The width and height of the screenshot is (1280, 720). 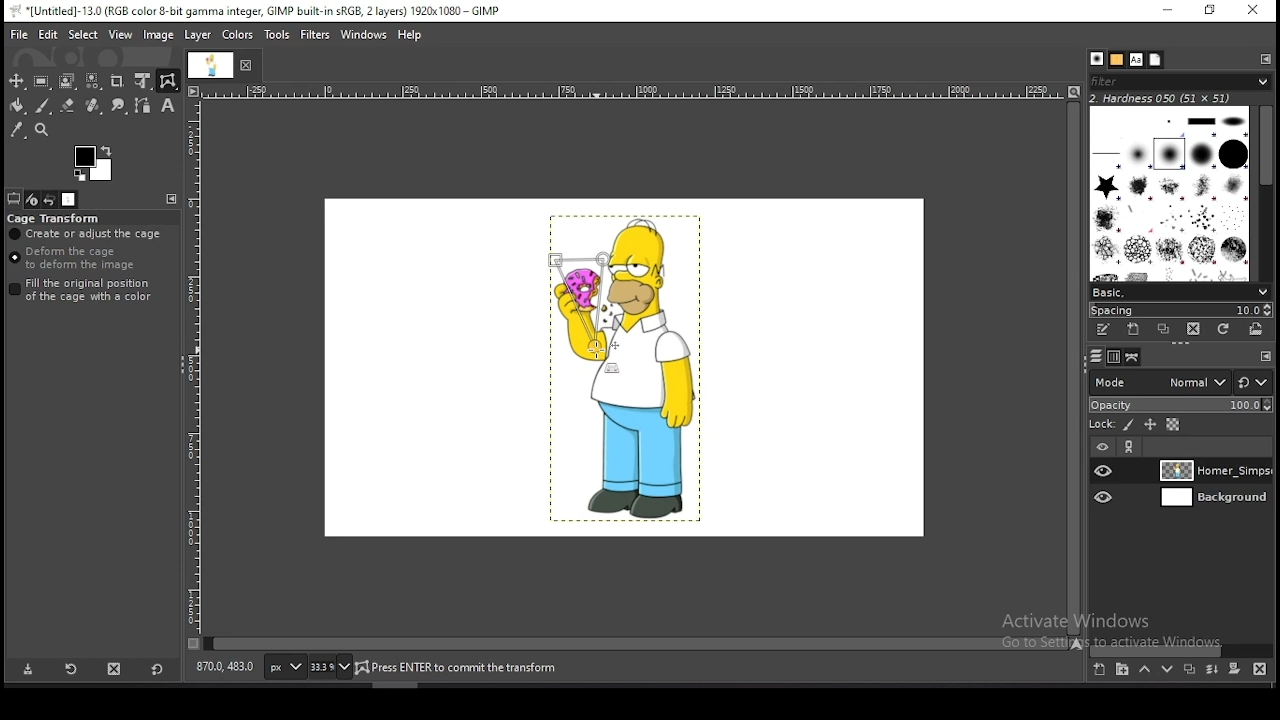 What do you see at coordinates (1207, 11) in the screenshot?
I see `restore` at bounding box center [1207, 11].